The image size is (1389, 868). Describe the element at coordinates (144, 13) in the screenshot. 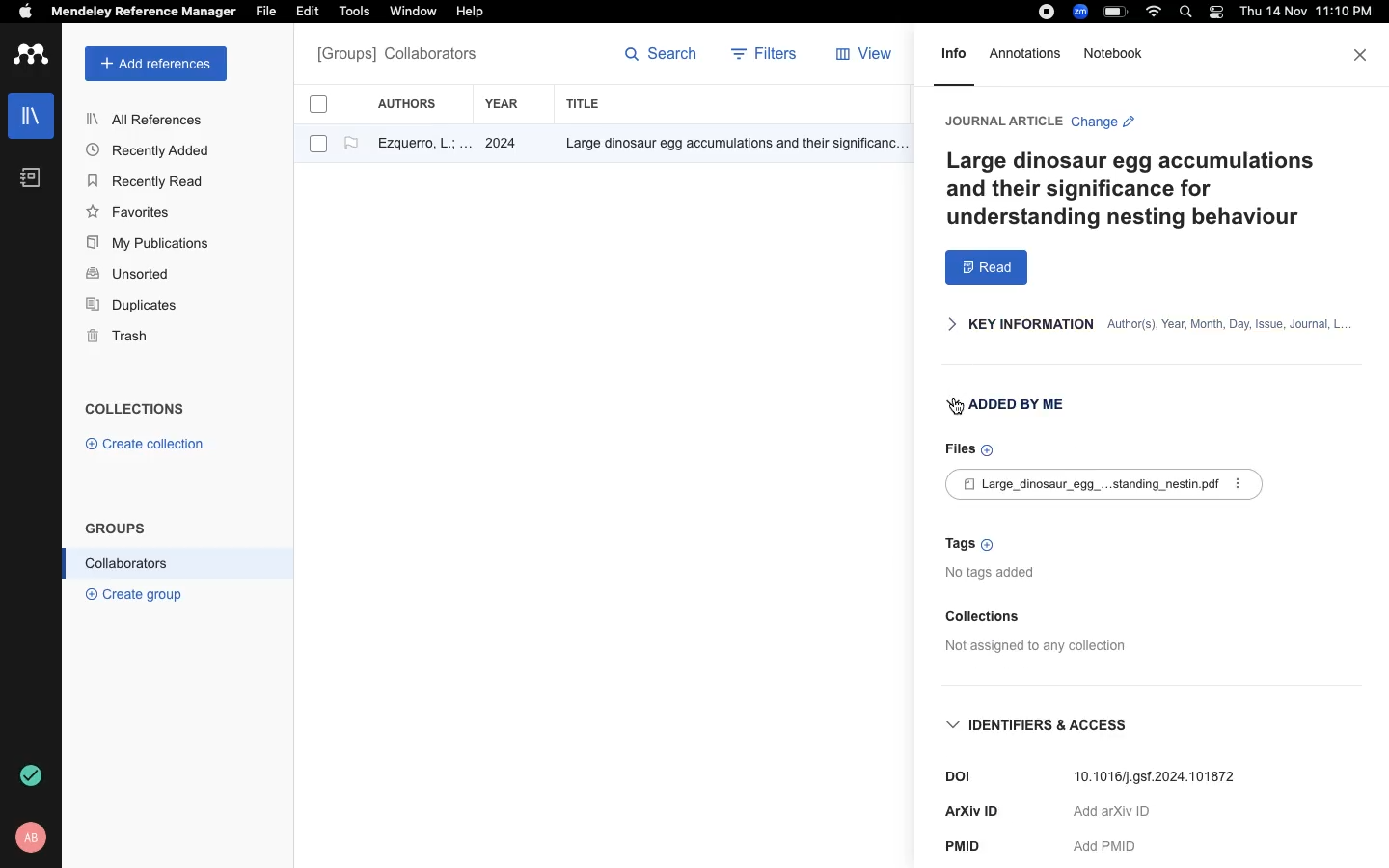

I see `Mendeley Reference Manager` at that location.